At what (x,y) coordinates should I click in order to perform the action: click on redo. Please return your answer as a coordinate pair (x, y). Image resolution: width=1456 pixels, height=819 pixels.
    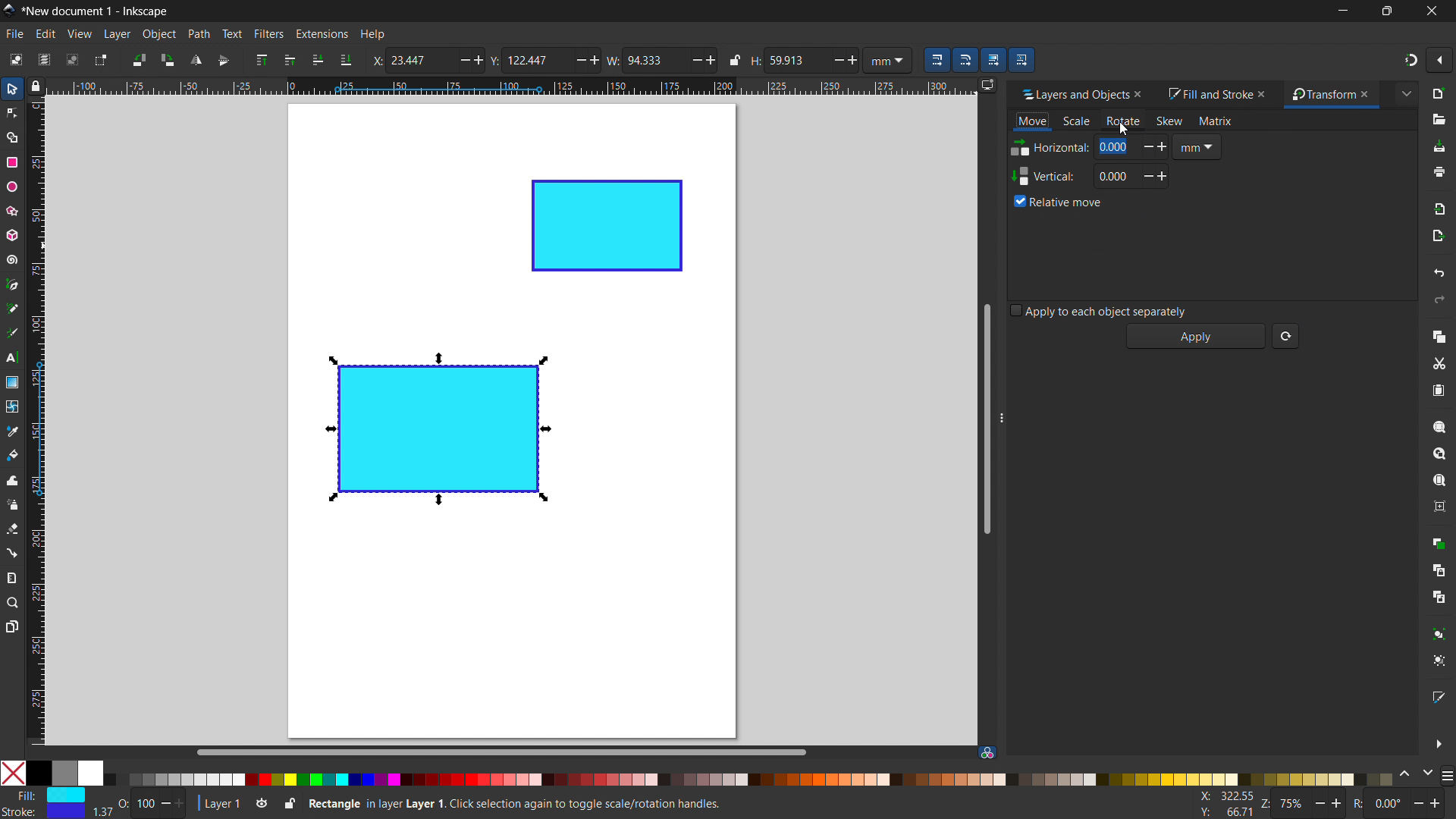
    Looking at the image, I should click on (1439, 300).